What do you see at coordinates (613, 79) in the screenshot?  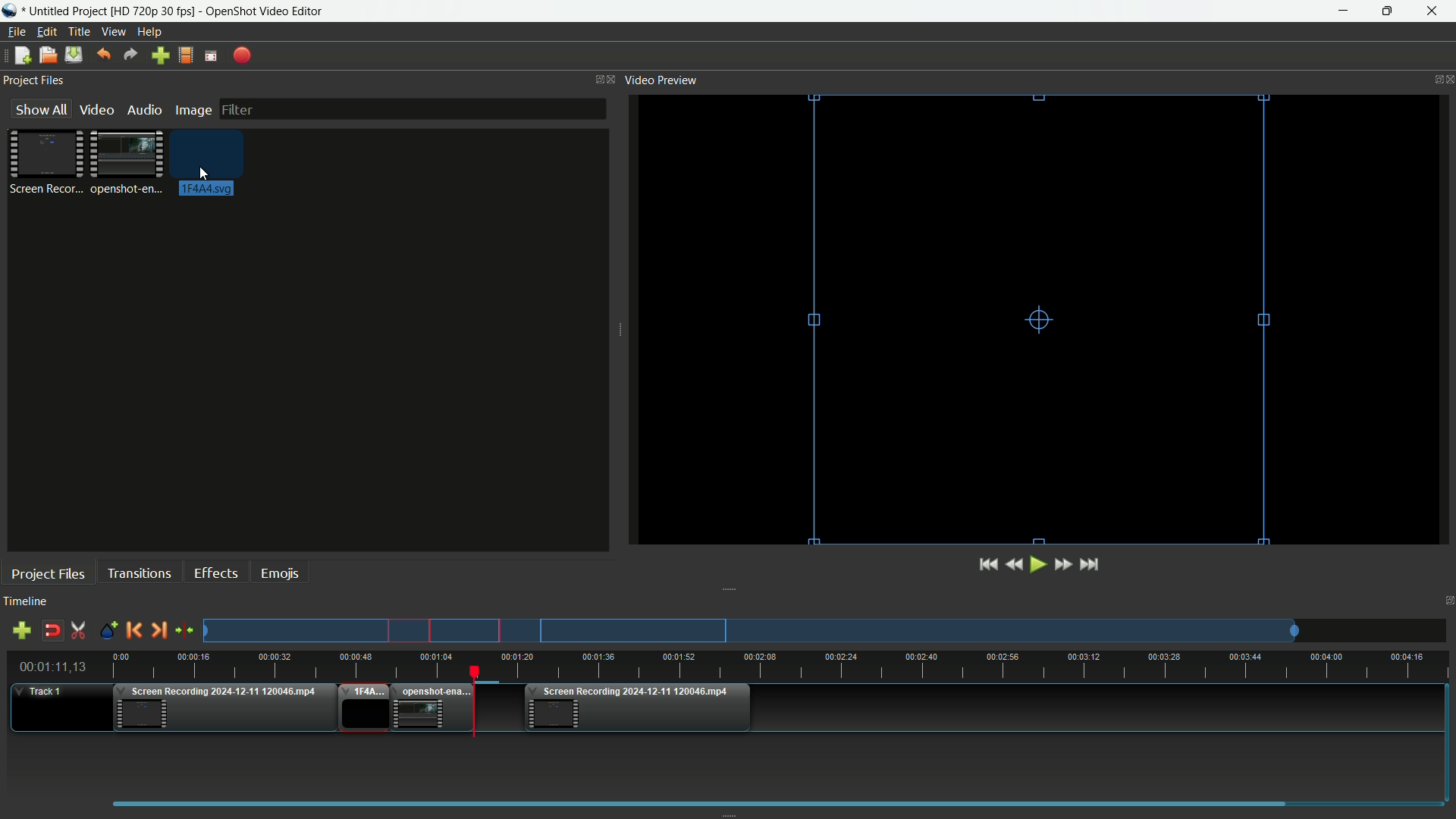 I see `Close project files` at bounding box center [613, 79].